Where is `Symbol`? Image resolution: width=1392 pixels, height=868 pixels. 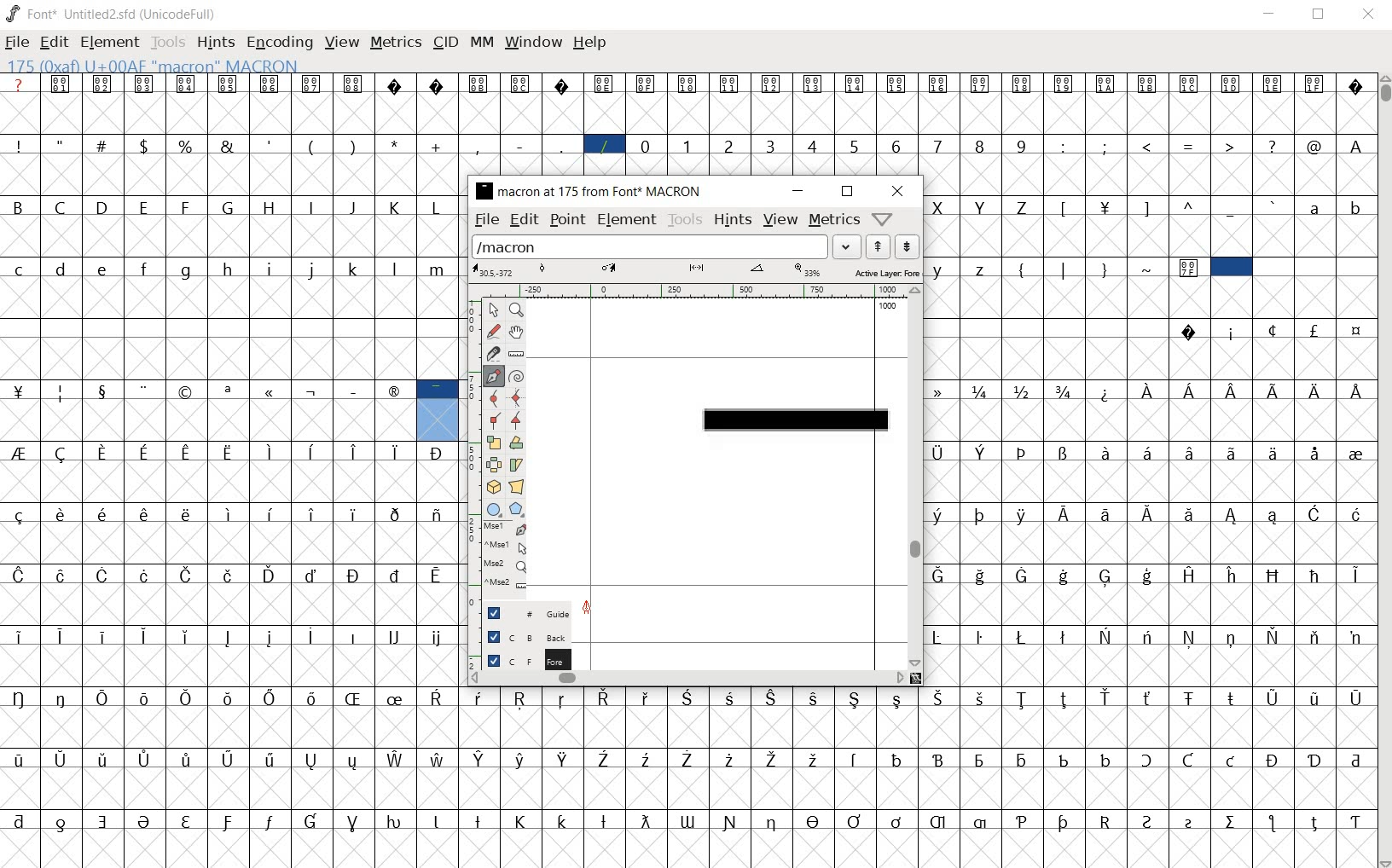 Symbol is located at coordinates (939, 515).